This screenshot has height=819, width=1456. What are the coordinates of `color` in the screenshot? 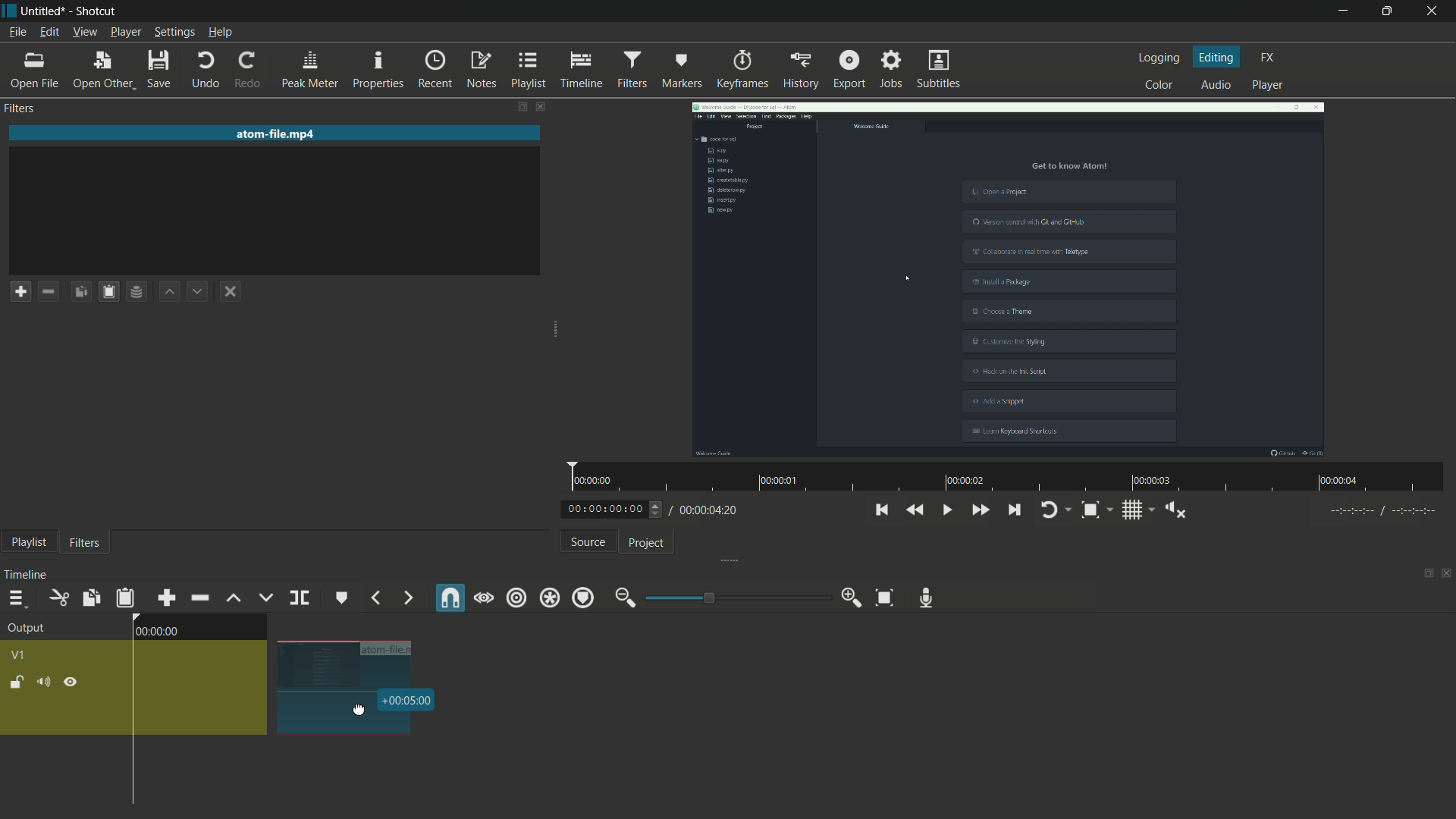 It's located at (1155, 86).